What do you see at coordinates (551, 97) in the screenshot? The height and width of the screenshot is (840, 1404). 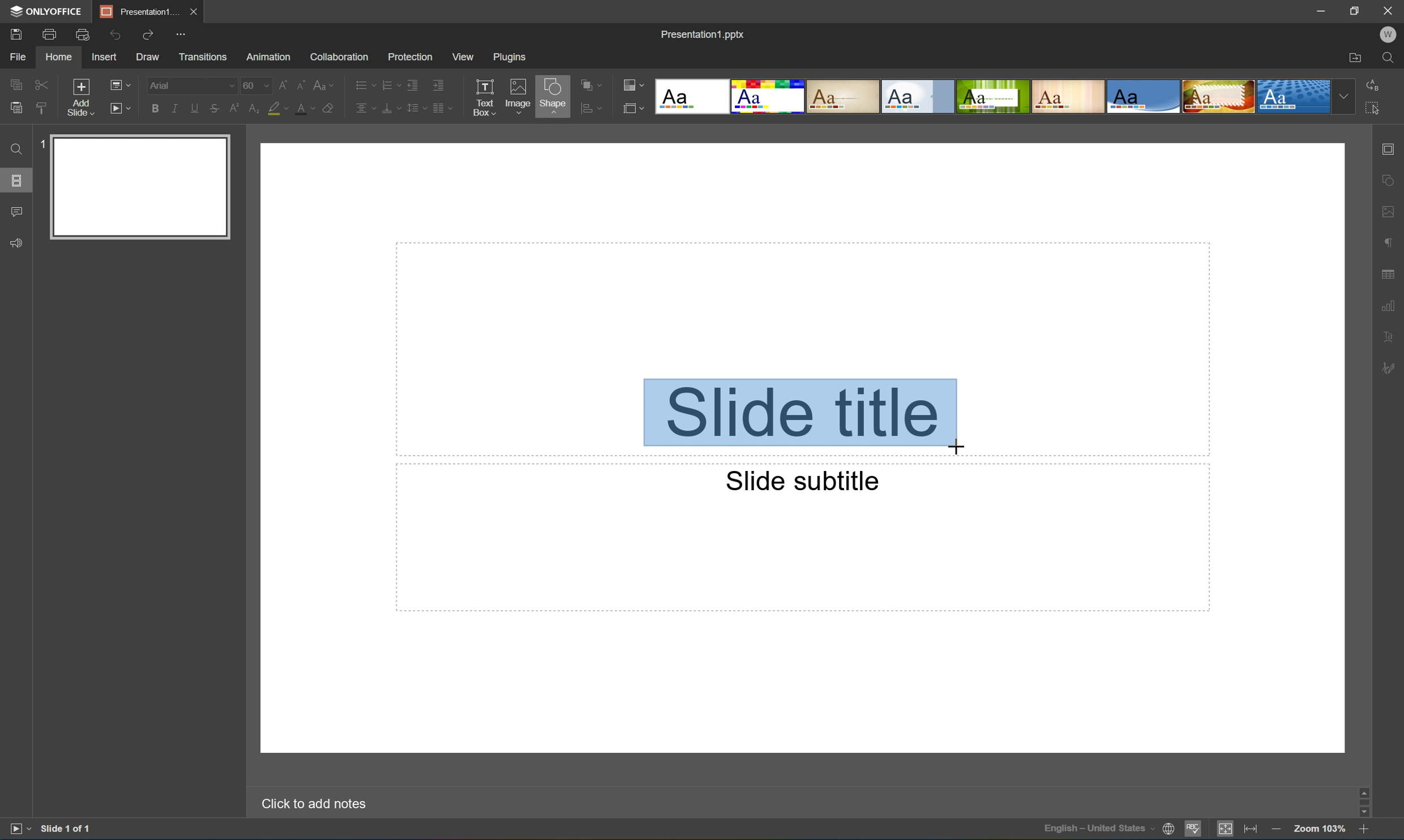 I see `Shape` at bounding box center [551, 97].